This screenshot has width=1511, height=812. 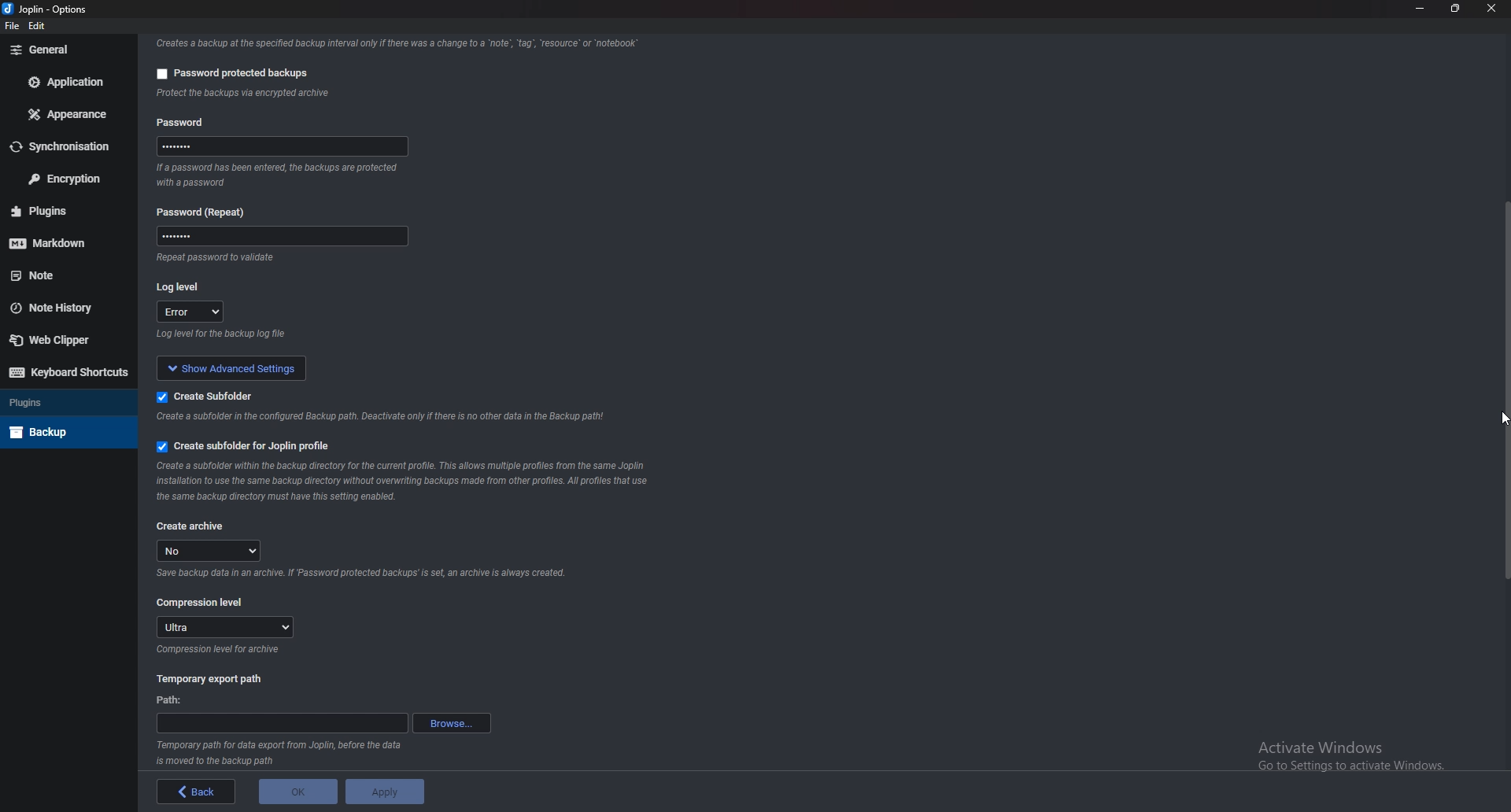 I want to click on log level, so click(x=184, y=286).